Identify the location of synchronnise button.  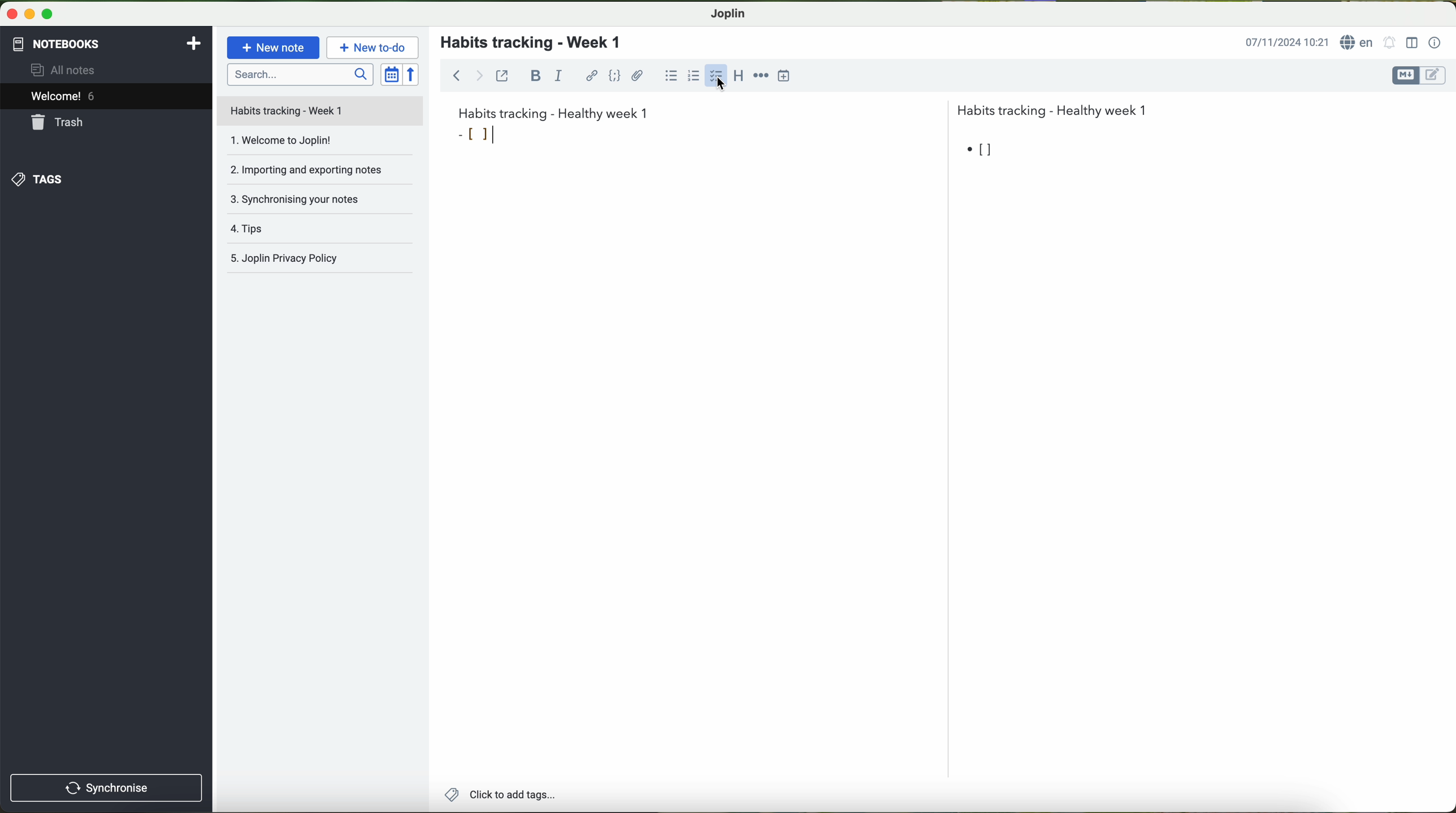
(105, 789).